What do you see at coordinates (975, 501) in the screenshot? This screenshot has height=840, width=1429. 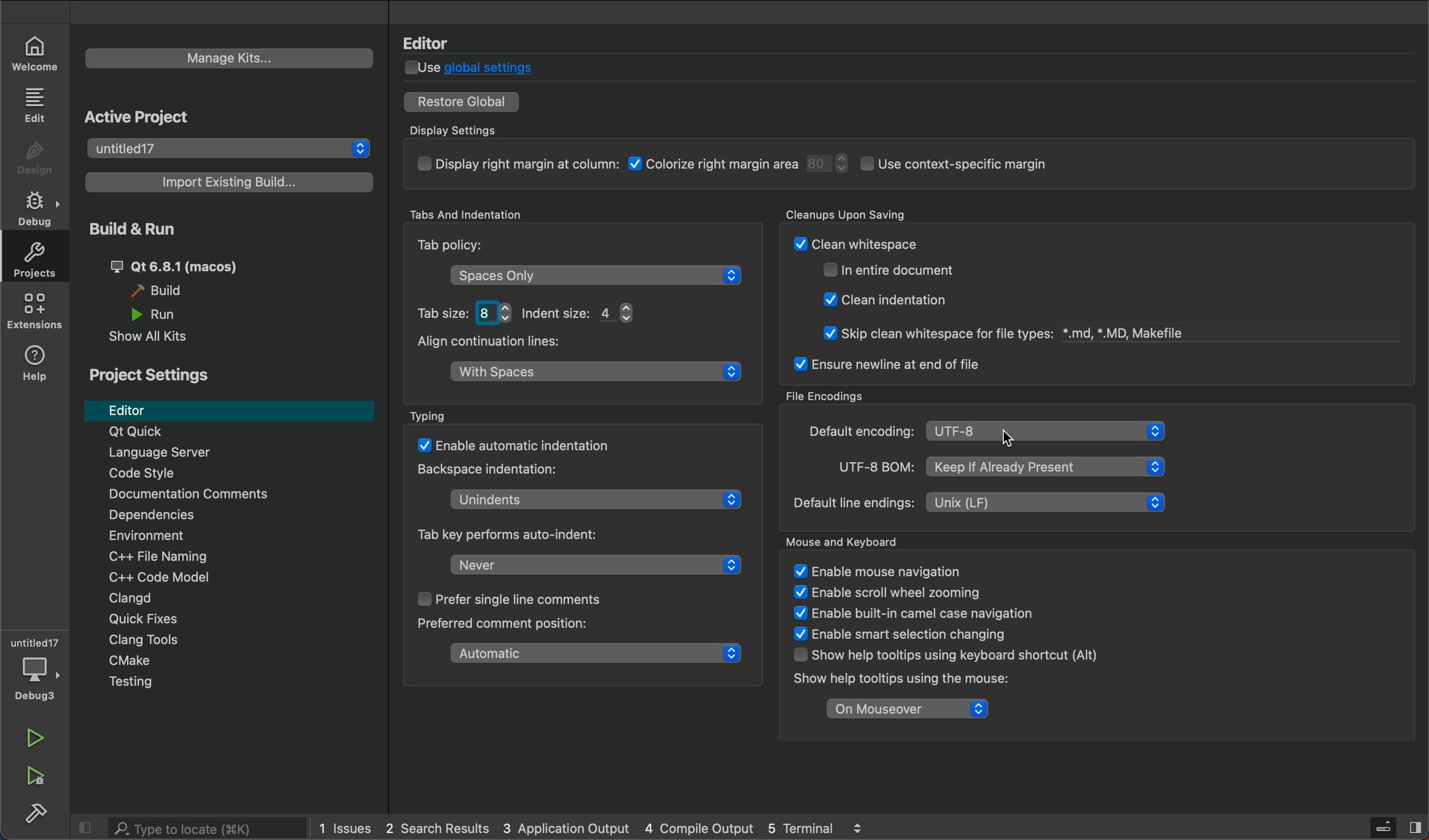 I see `line encoding` at bounding box center [975, 501].